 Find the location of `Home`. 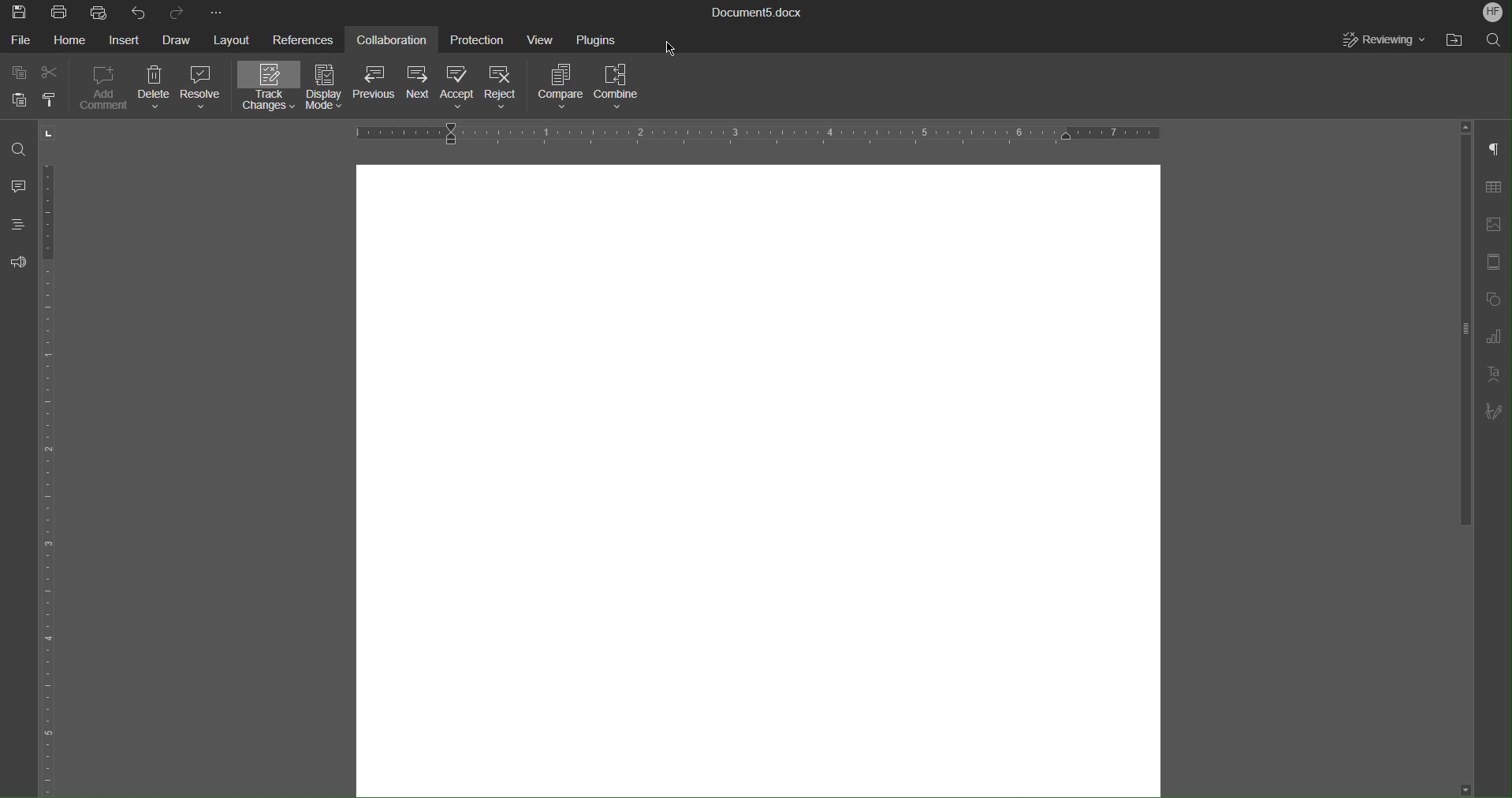

Home is located at coordinates (76, 42).